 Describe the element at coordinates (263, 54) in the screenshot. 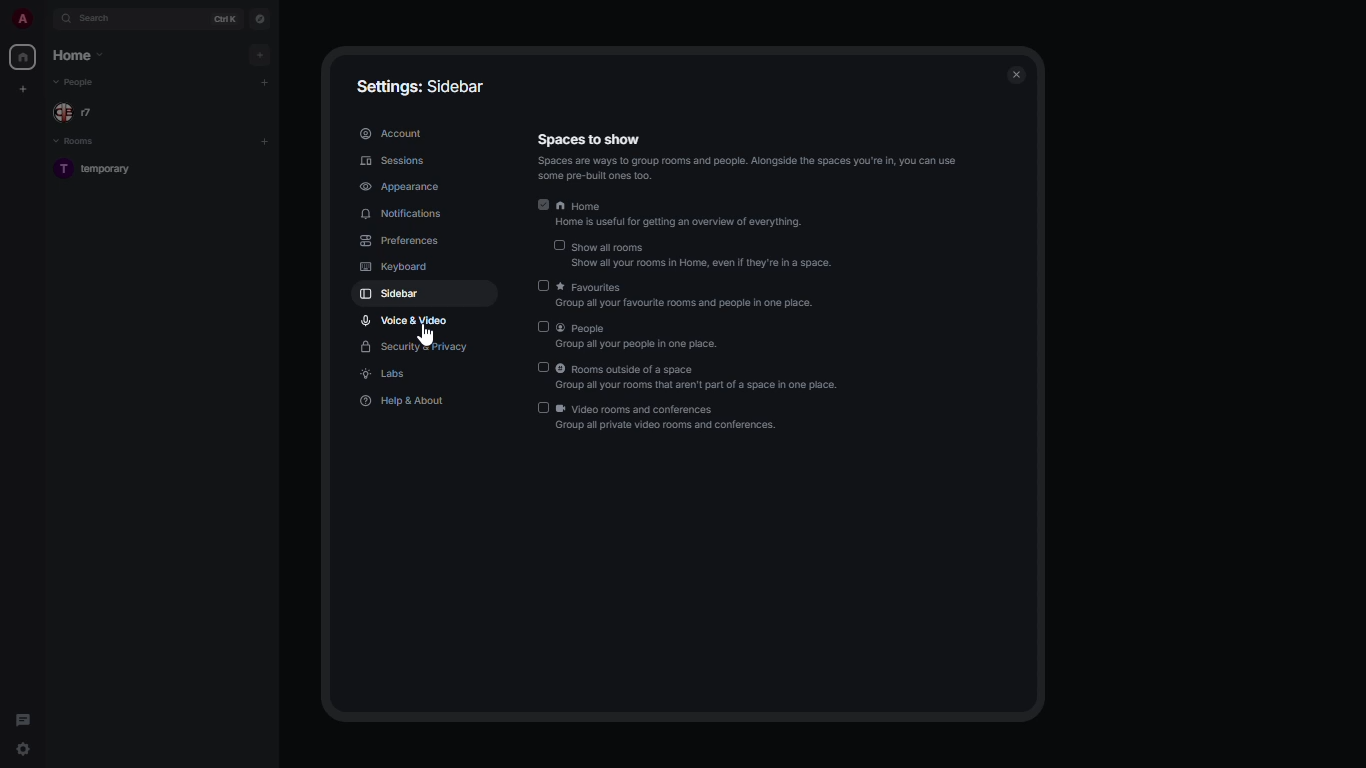

I see `add` at that location.